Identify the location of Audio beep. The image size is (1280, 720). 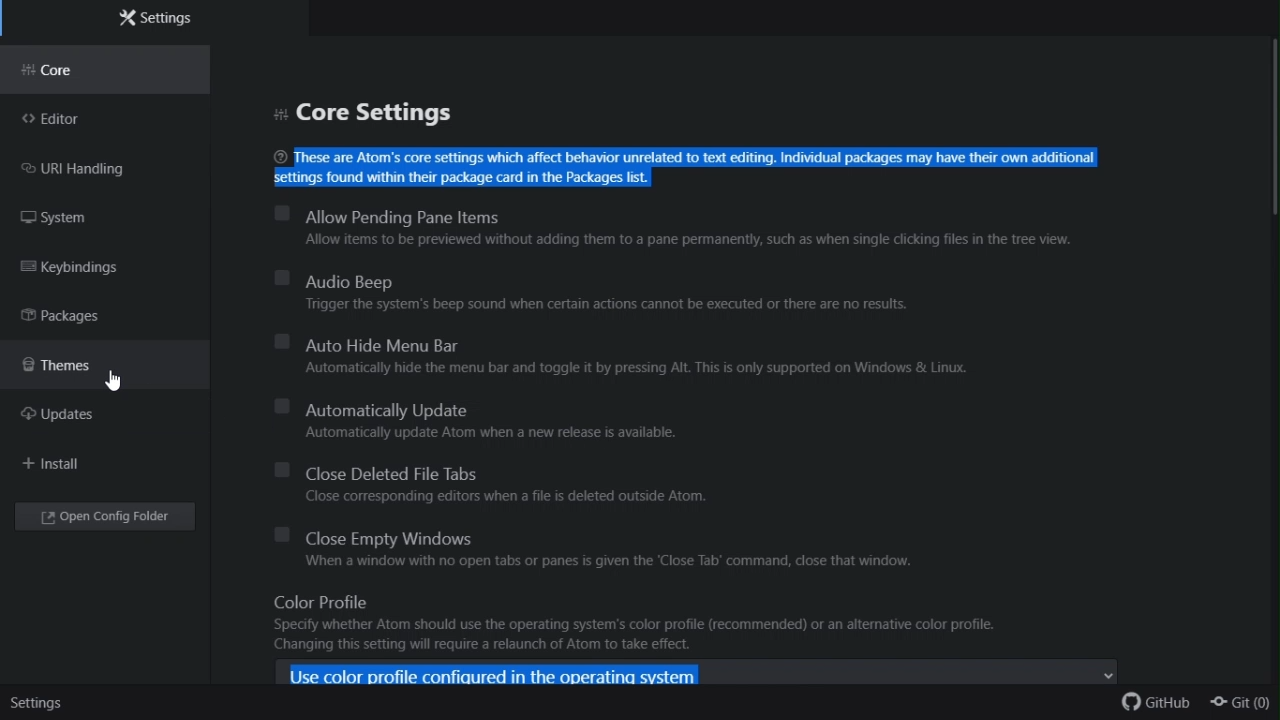
(594, 288).